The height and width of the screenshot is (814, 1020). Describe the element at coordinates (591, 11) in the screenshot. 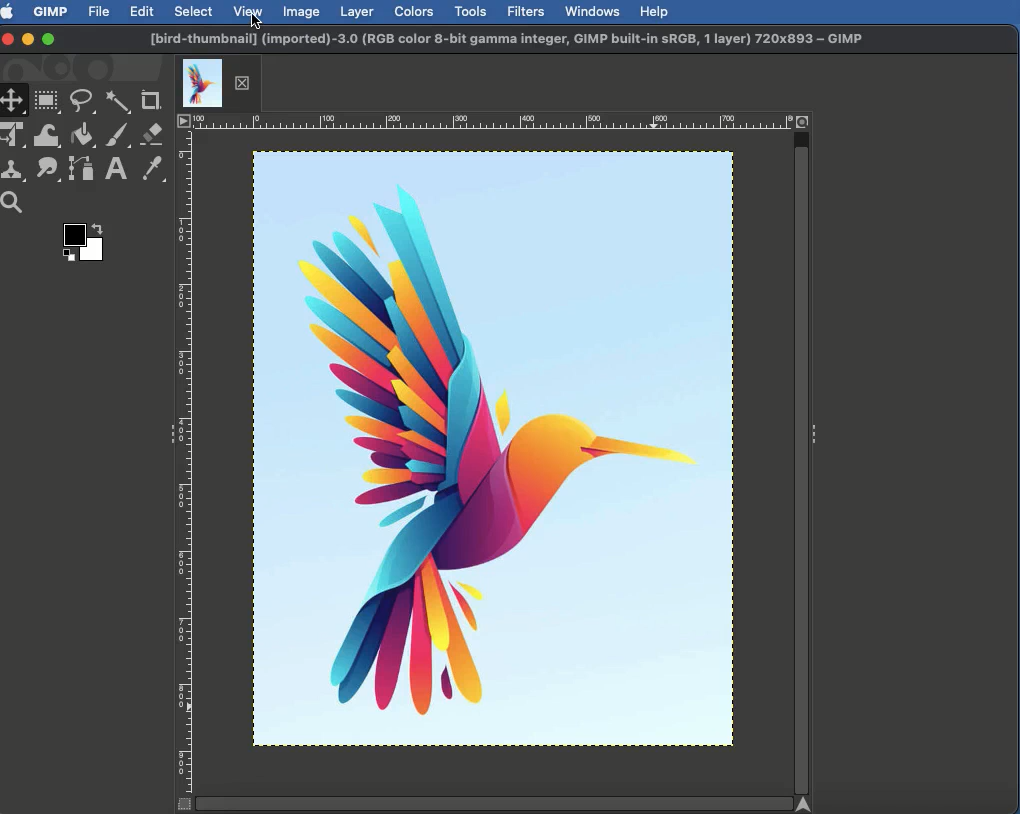

I see `Windows` at that location.